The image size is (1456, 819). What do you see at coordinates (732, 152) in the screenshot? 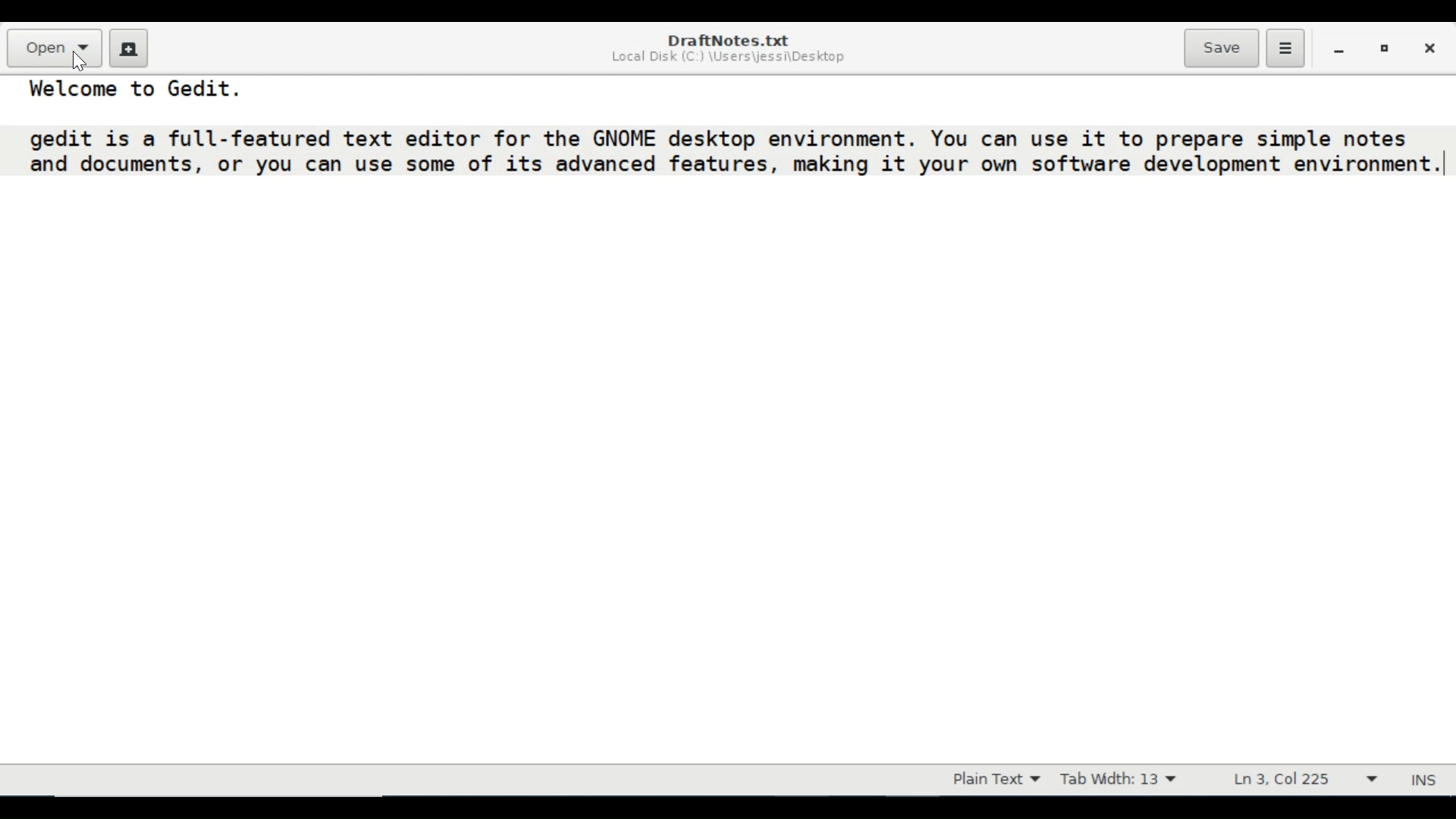
I see `gedit is a full-featured text editor for the GNOME desktop environment. You can use it to prepare simple notes
and documents, or you can use some of its advanced features, making it your own software development environment.` at bounding box center [732, 152].